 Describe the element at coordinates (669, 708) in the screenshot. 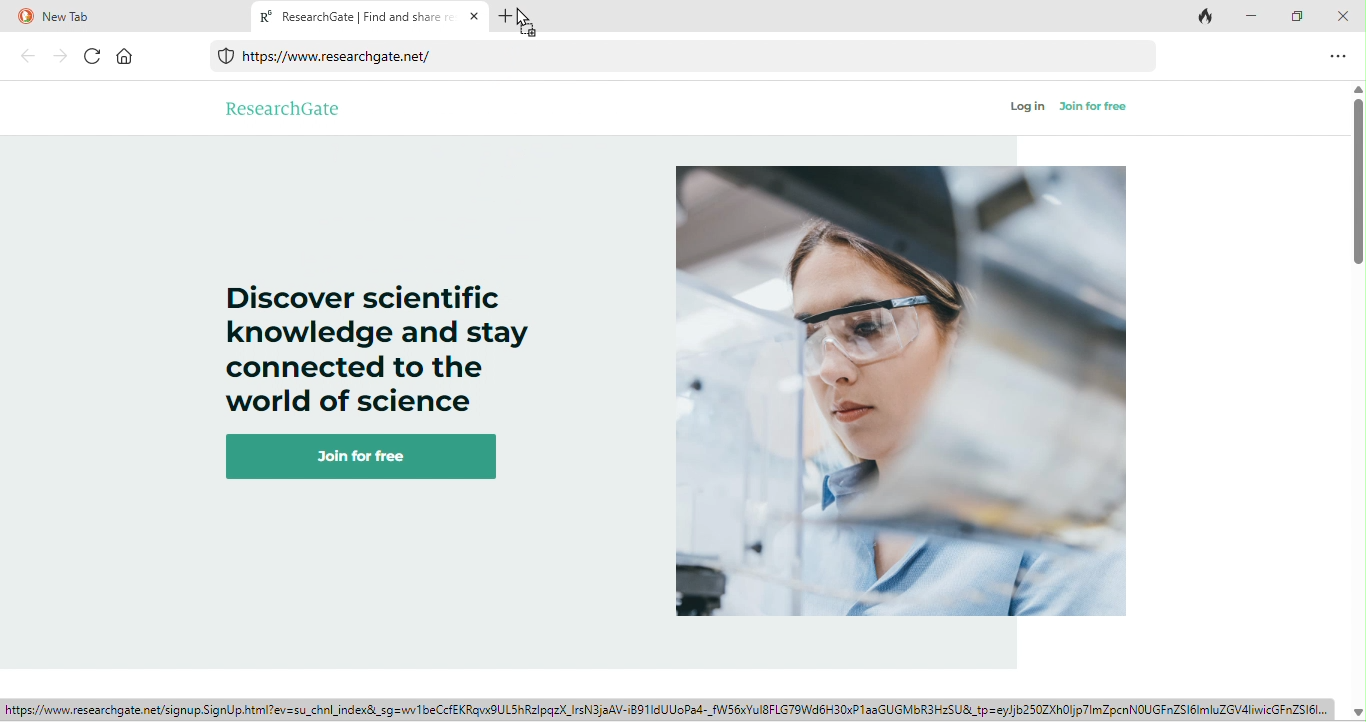

I see `https://www.researchgate.net/signup SignUp htmiZev=su_chnl_index8_sg=wy1beCcEKRQuxOULShRzipqzX_irsN3jaAV-iB91IdUUOPa4-_ fWS6xYulBFLGTOWAEH30xP12aGUGMBR3IHZSUS. tp=eyljb2S0ZXh0ljpTImZpcnNOUGFZSIBImuZGVAliwicGFnZSI6l...` at that location.